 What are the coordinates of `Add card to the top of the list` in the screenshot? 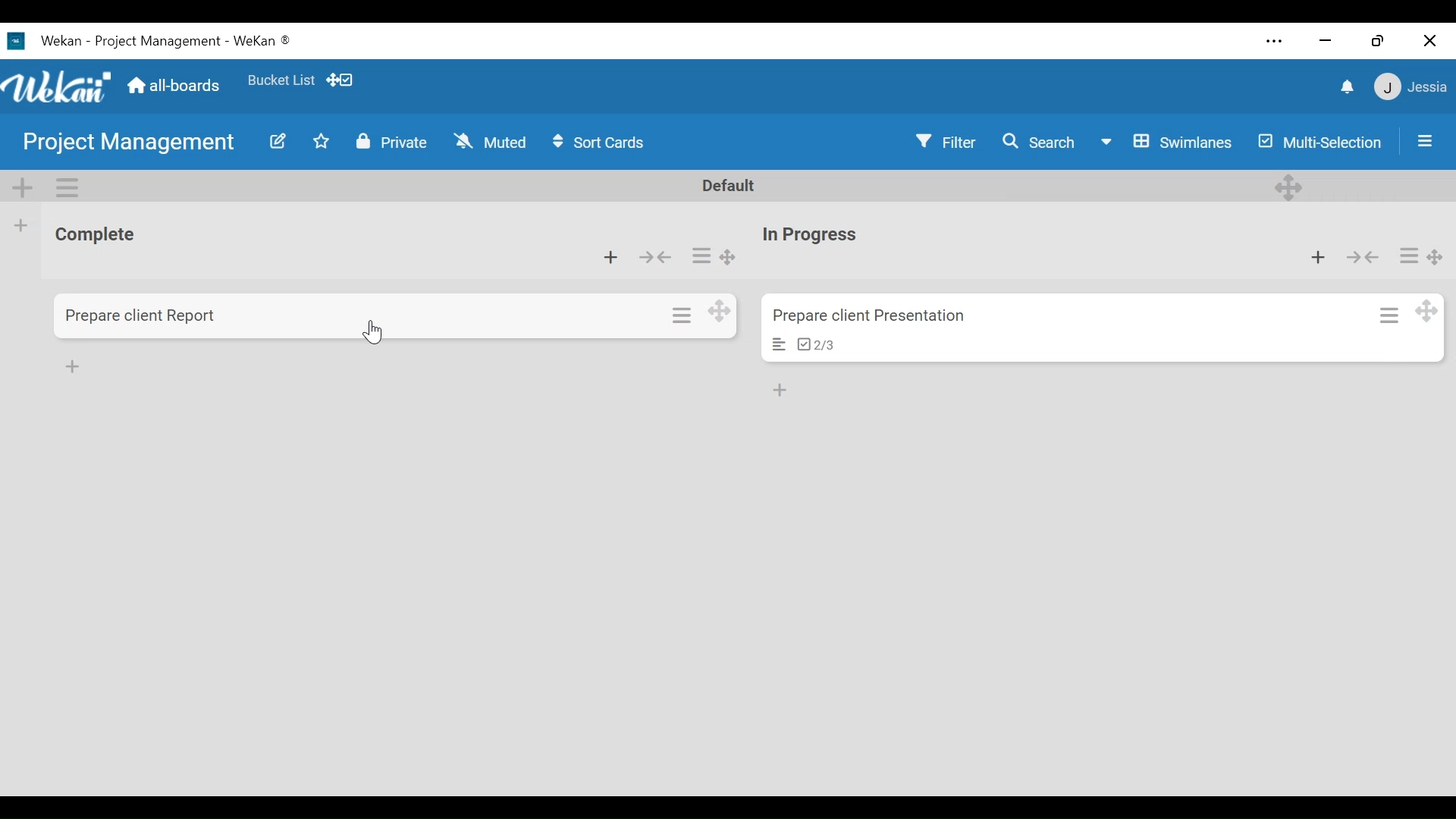 It's located at (612, 258).